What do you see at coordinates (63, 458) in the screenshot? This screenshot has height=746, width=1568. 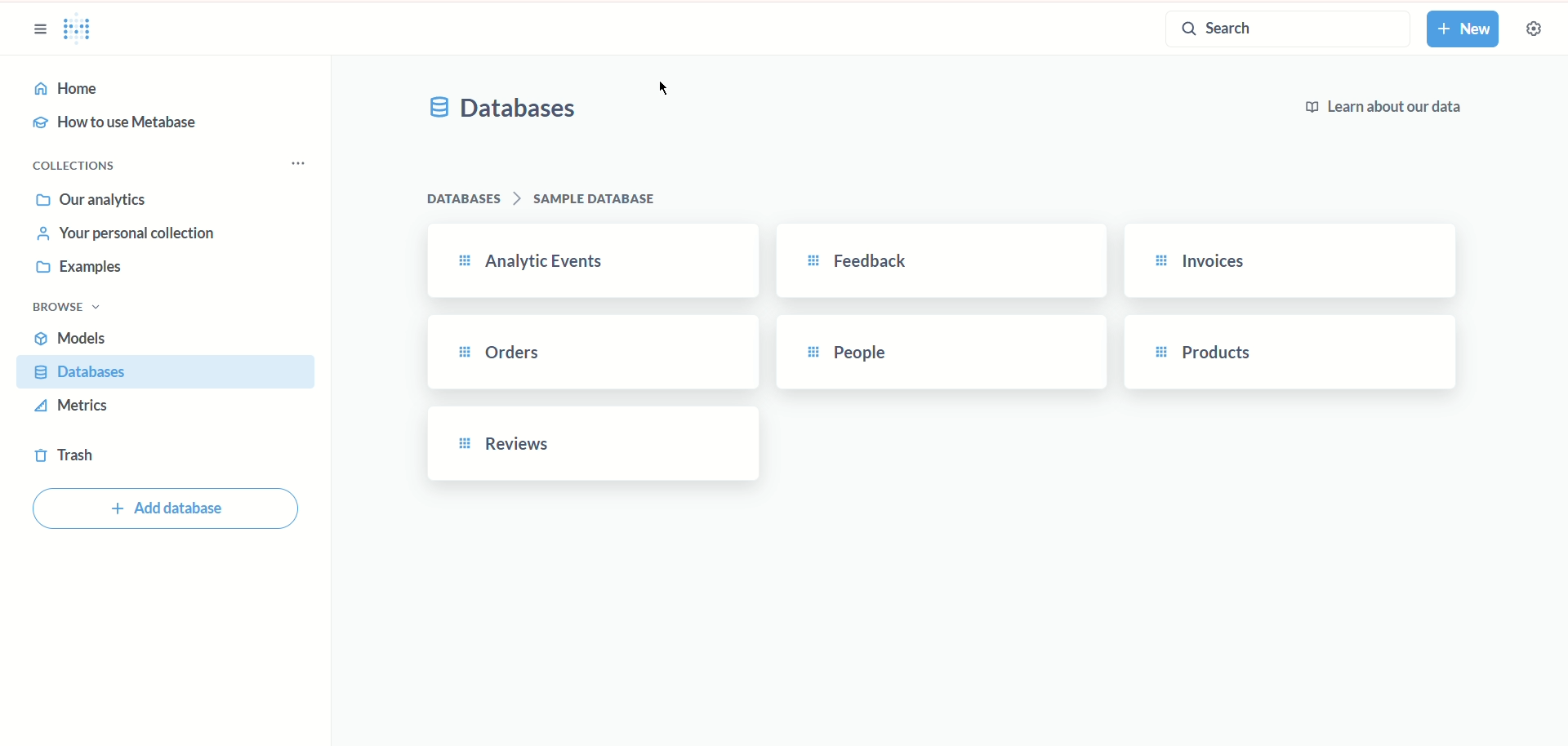 I see `trash` at bounding box center [63, 458].